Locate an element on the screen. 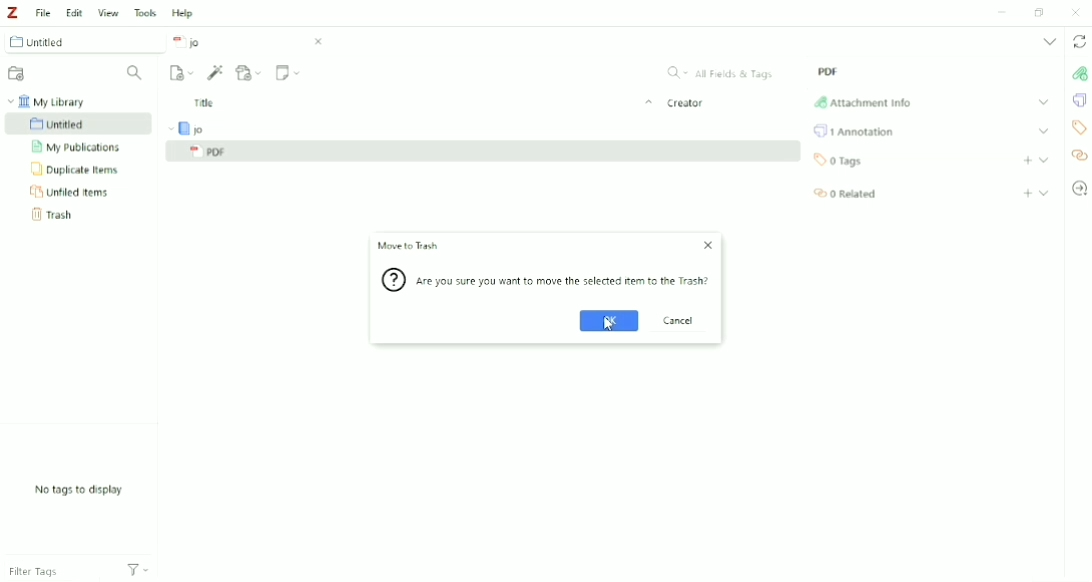  Attachment Info is located at coordinates (1076, 74).